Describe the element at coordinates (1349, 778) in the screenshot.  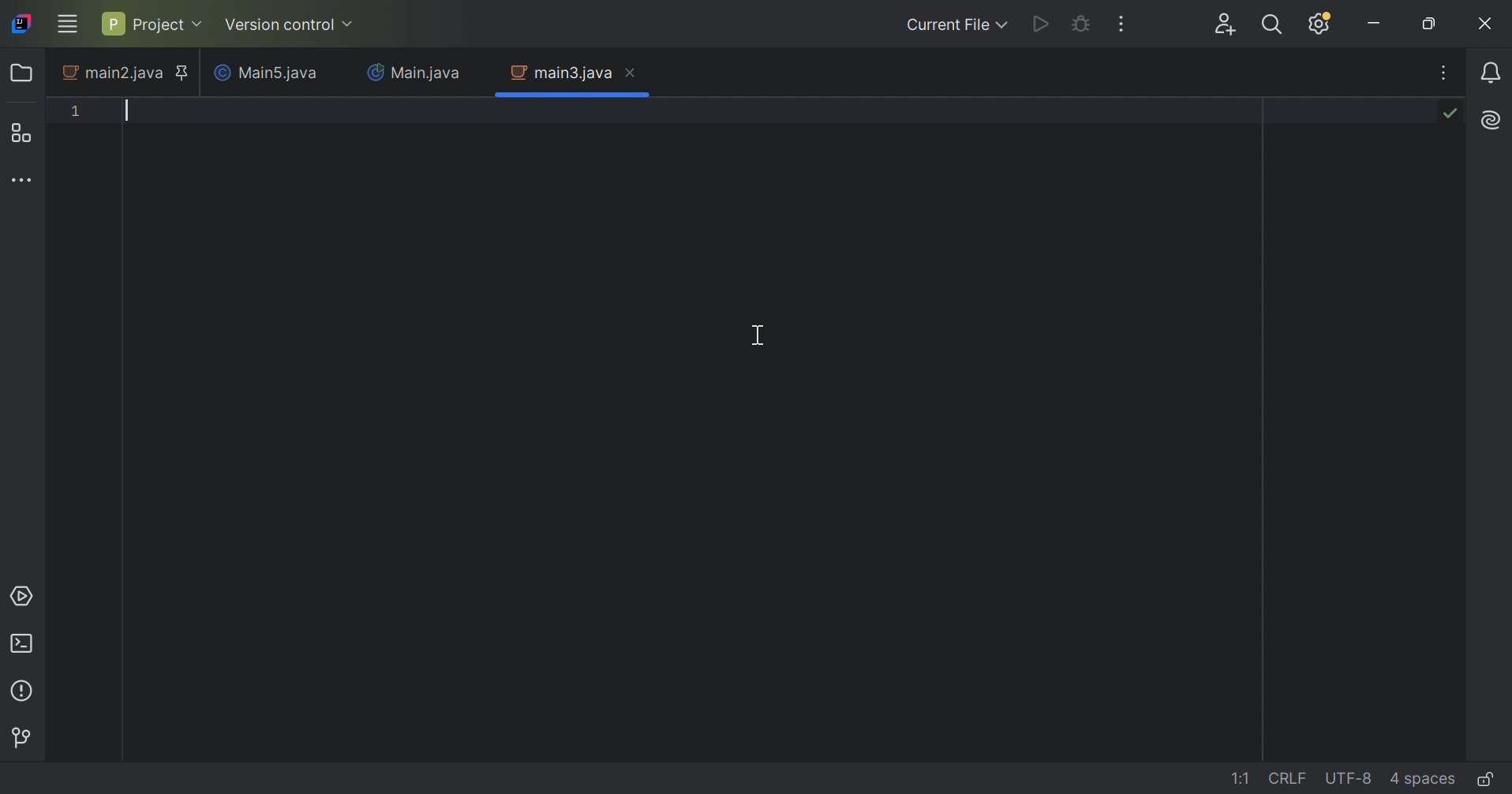
I see `line encoding: UTF-8` at that location.